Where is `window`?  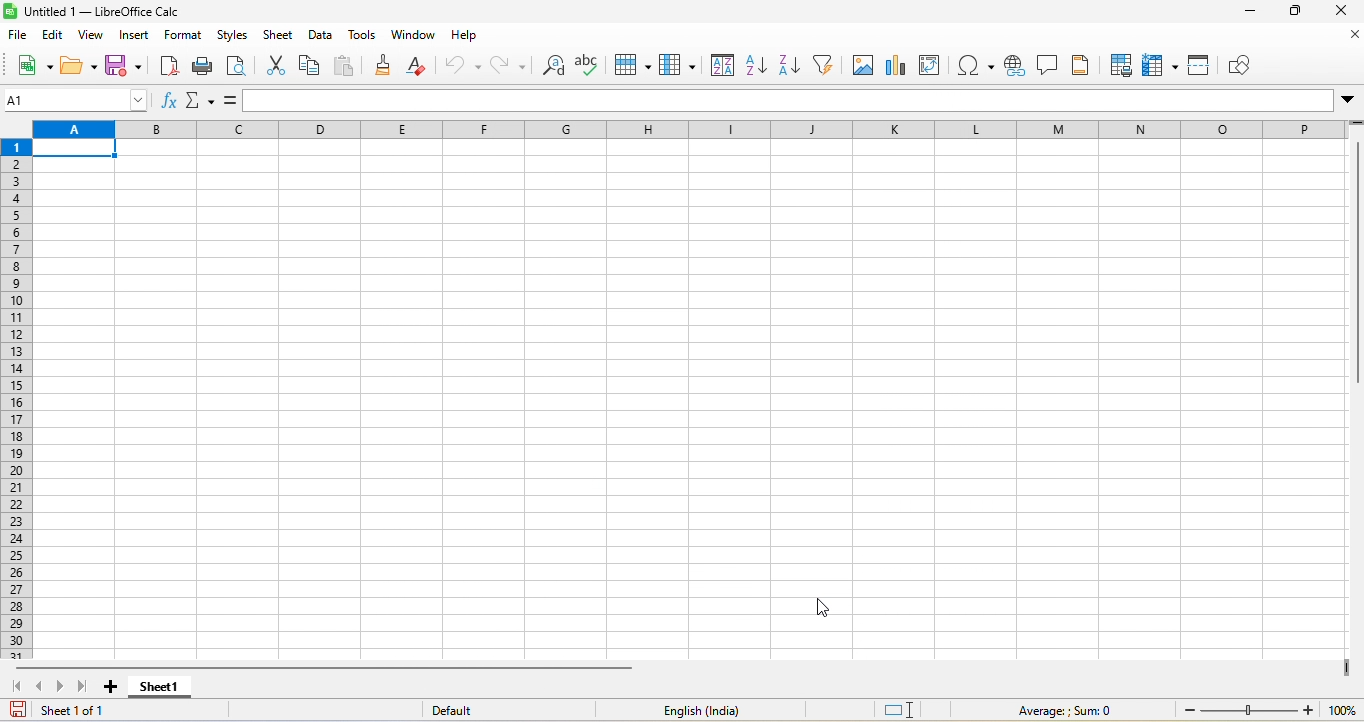 window is located at coordinates (410, 38).